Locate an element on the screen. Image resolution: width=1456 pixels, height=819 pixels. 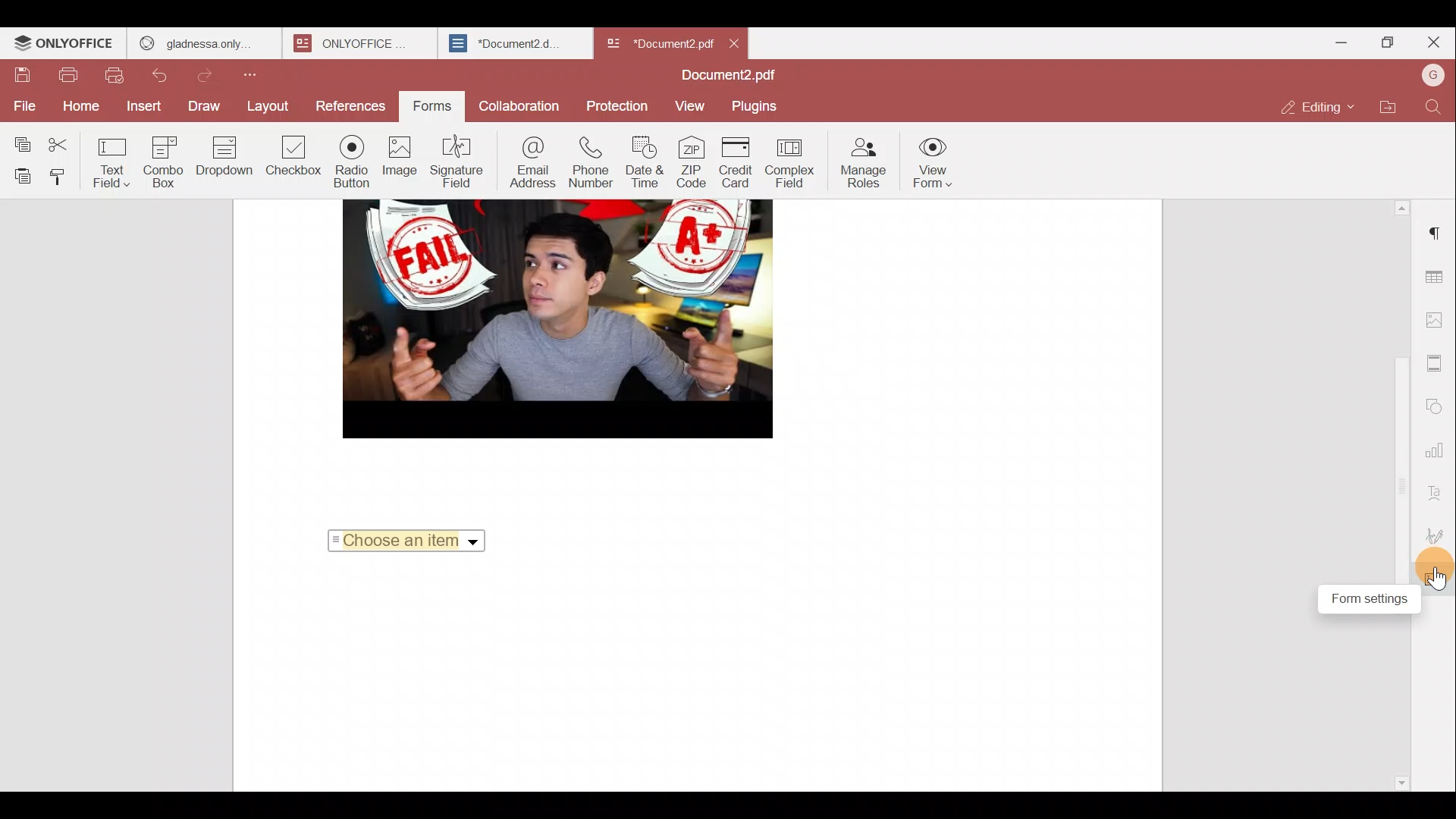
Open file location is located at coordinates (1385, 110).